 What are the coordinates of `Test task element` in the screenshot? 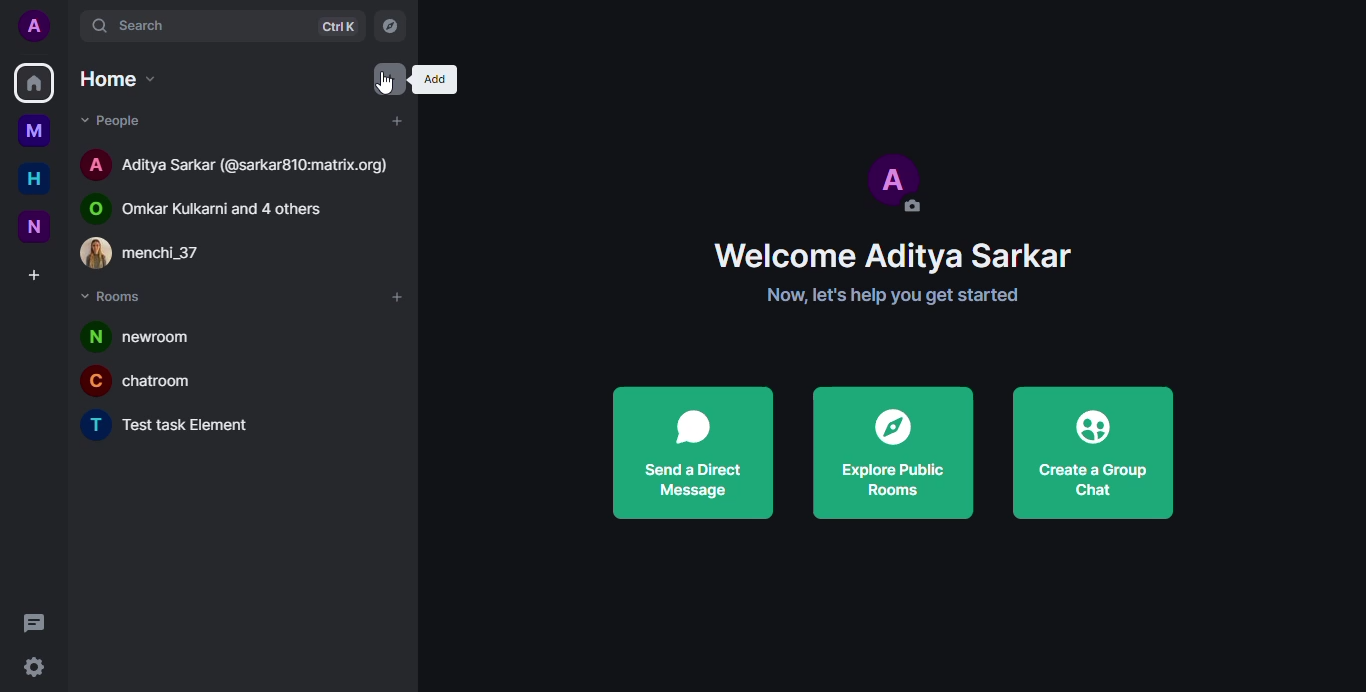 It's located at (175, 427).